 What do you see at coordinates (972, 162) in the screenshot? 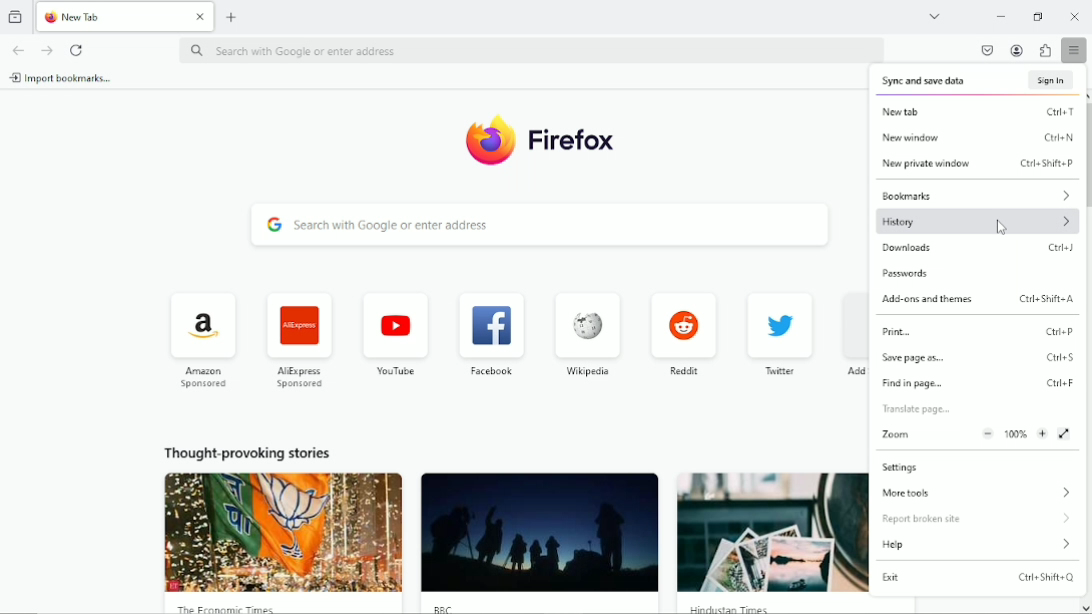
I see `New private window Ctrl+Shift+P` at bounding box center [972, 162].